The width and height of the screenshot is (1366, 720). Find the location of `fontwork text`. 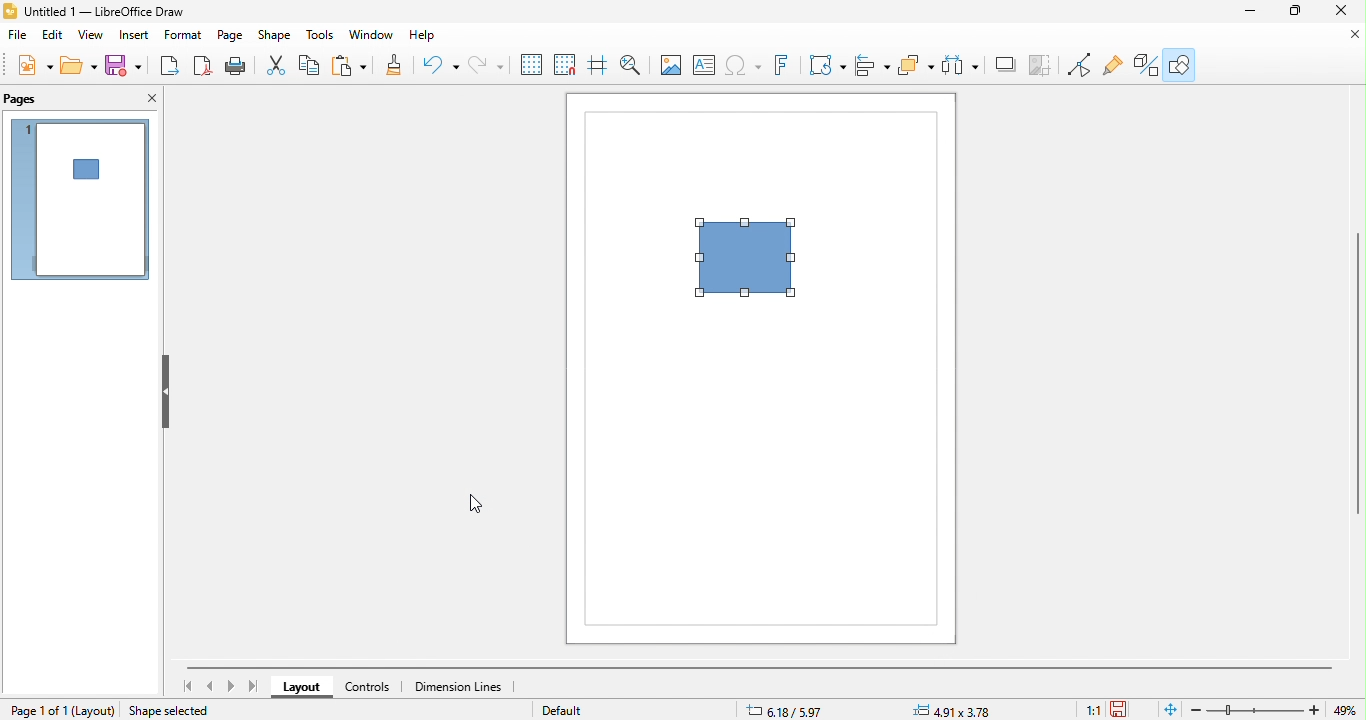

fontwork text is located at coordinates (785, 65).